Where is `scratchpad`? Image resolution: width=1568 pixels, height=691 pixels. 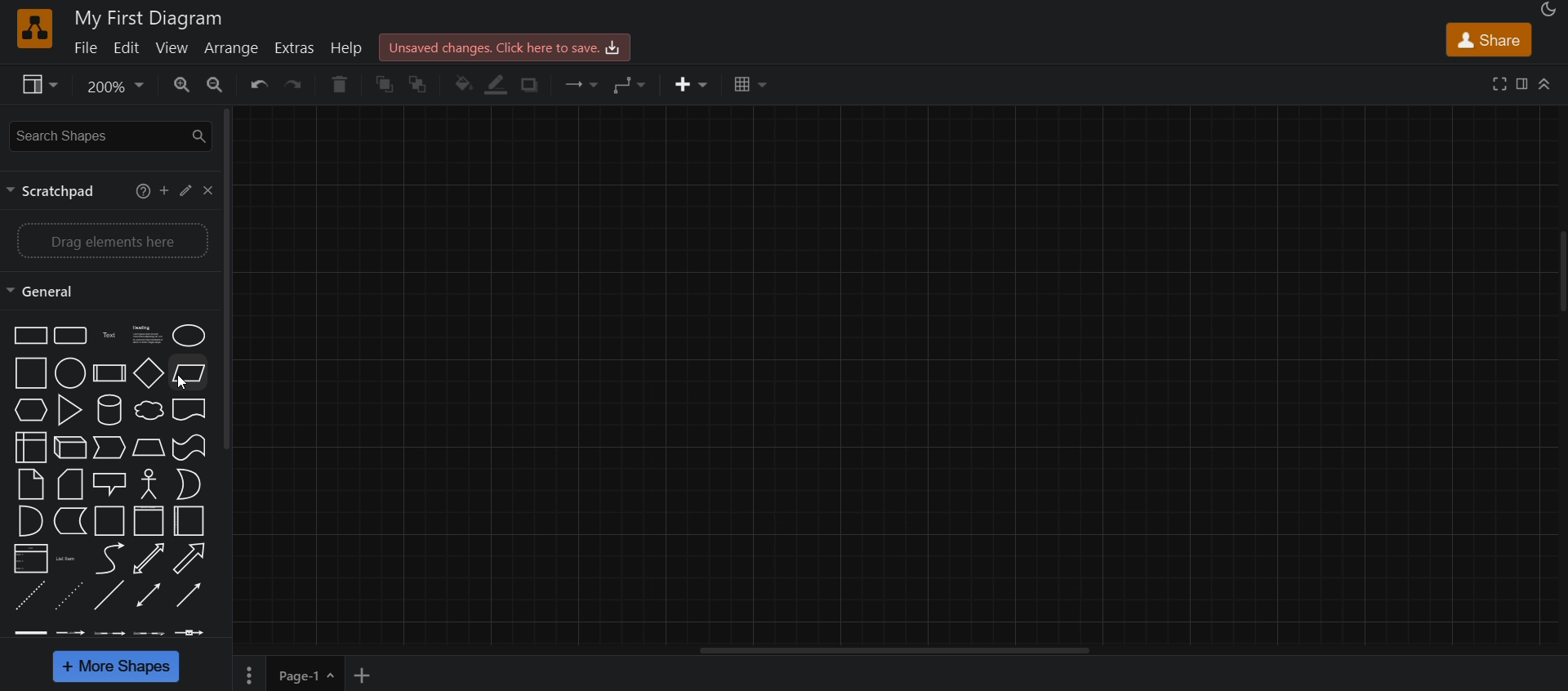
scratchpad is located at coordinates (51, 192).